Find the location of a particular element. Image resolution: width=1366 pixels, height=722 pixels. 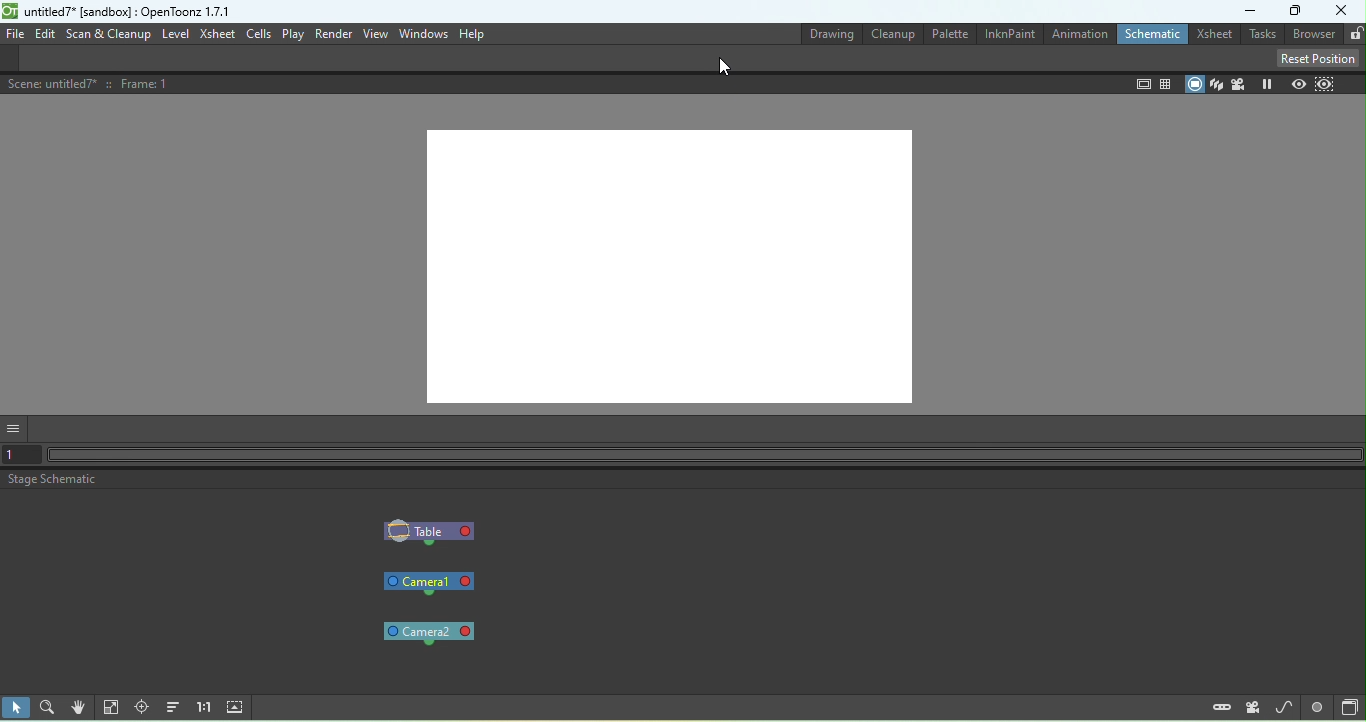

Windows is located at coordinates (422, 34).